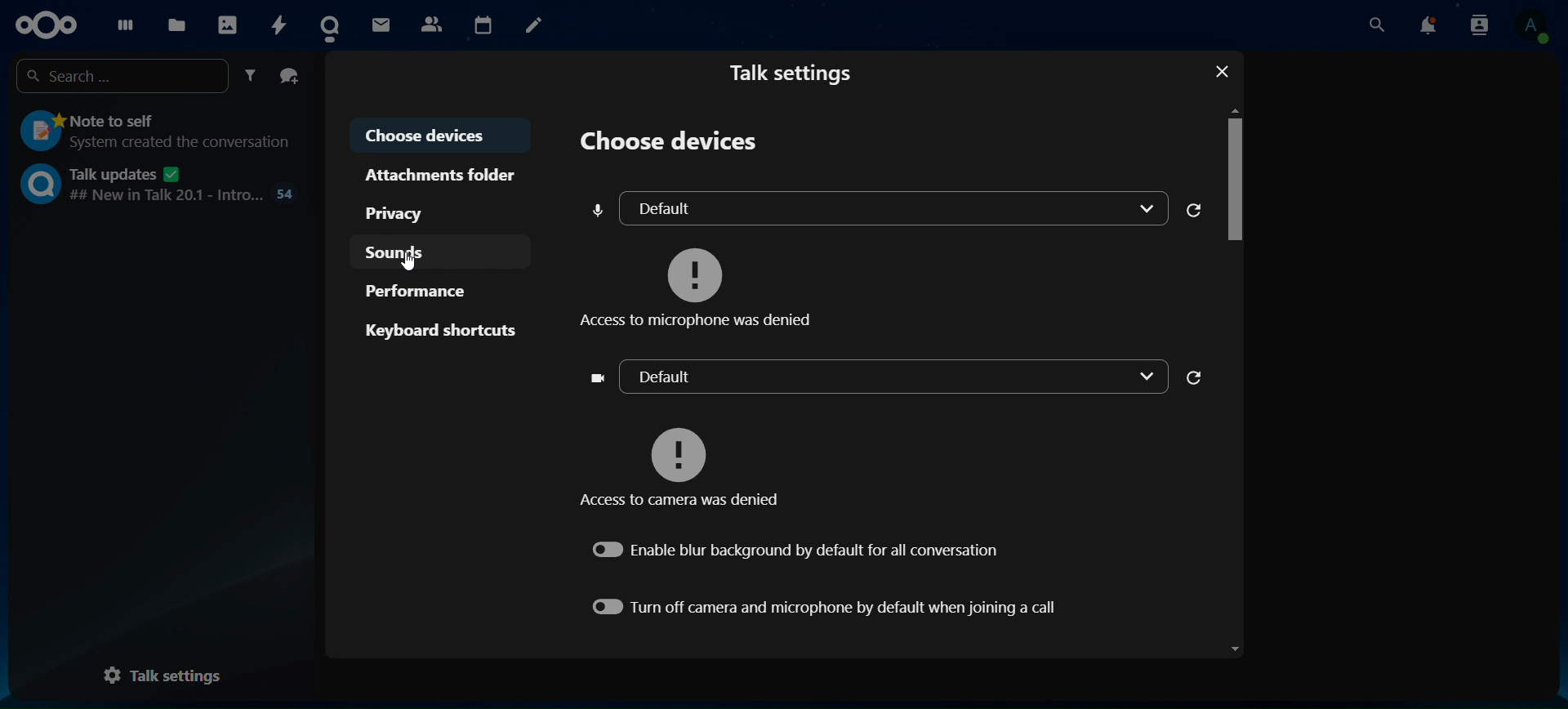  What do you see at coordinates (434, 134) in the screenshot?
I see `choose devices` at bounding box center [434, 134].